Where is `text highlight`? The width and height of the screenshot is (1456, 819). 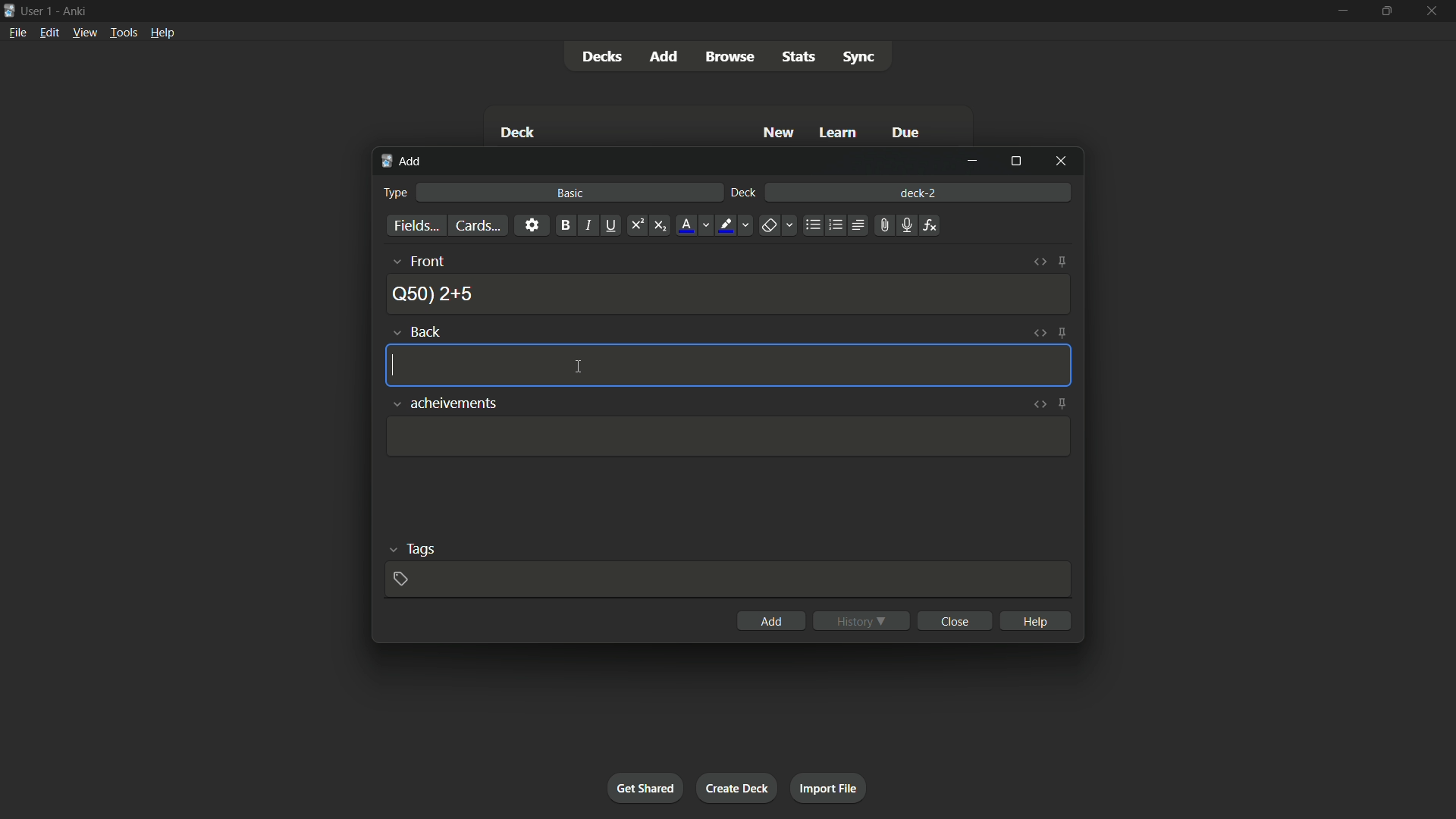
text highlight is located at coordinates (736, 227).